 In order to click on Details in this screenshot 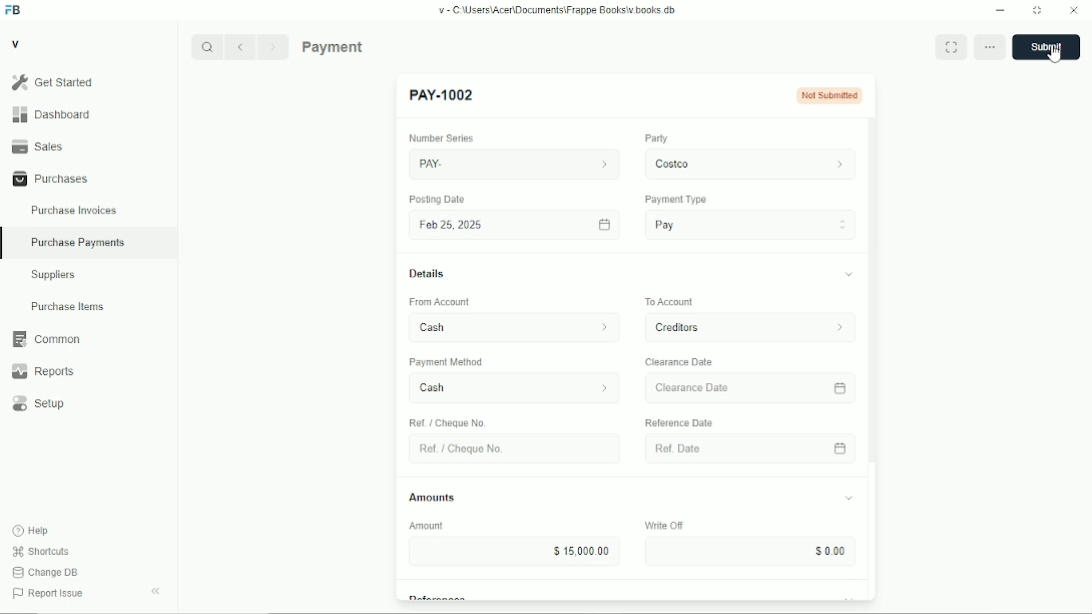, I will do `click(427, 274)`.